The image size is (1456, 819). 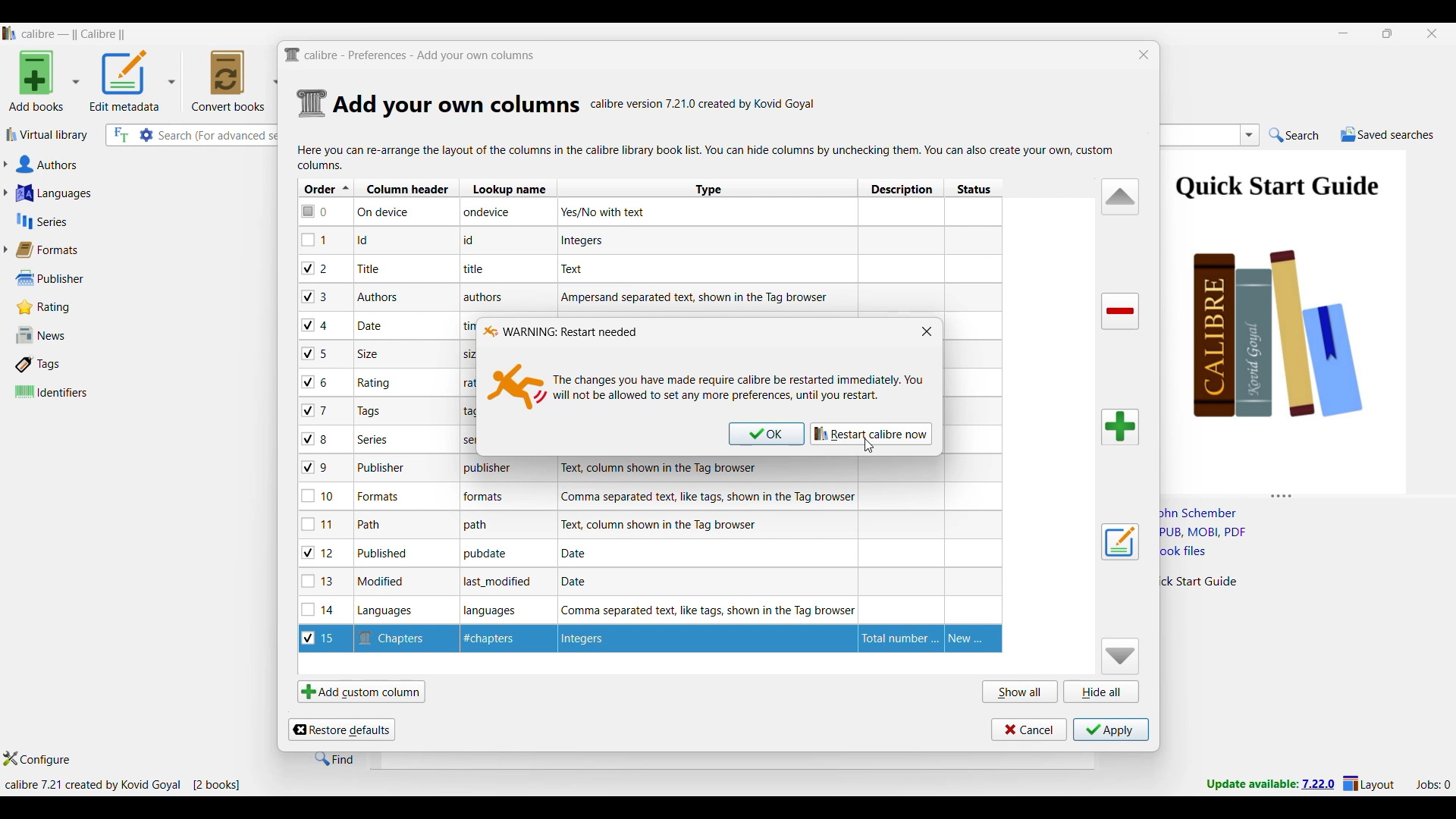 What do you see at coordinates (318, 581) in the screenshot?
I see `checkbox - 13` at bounding box center [318, 581].